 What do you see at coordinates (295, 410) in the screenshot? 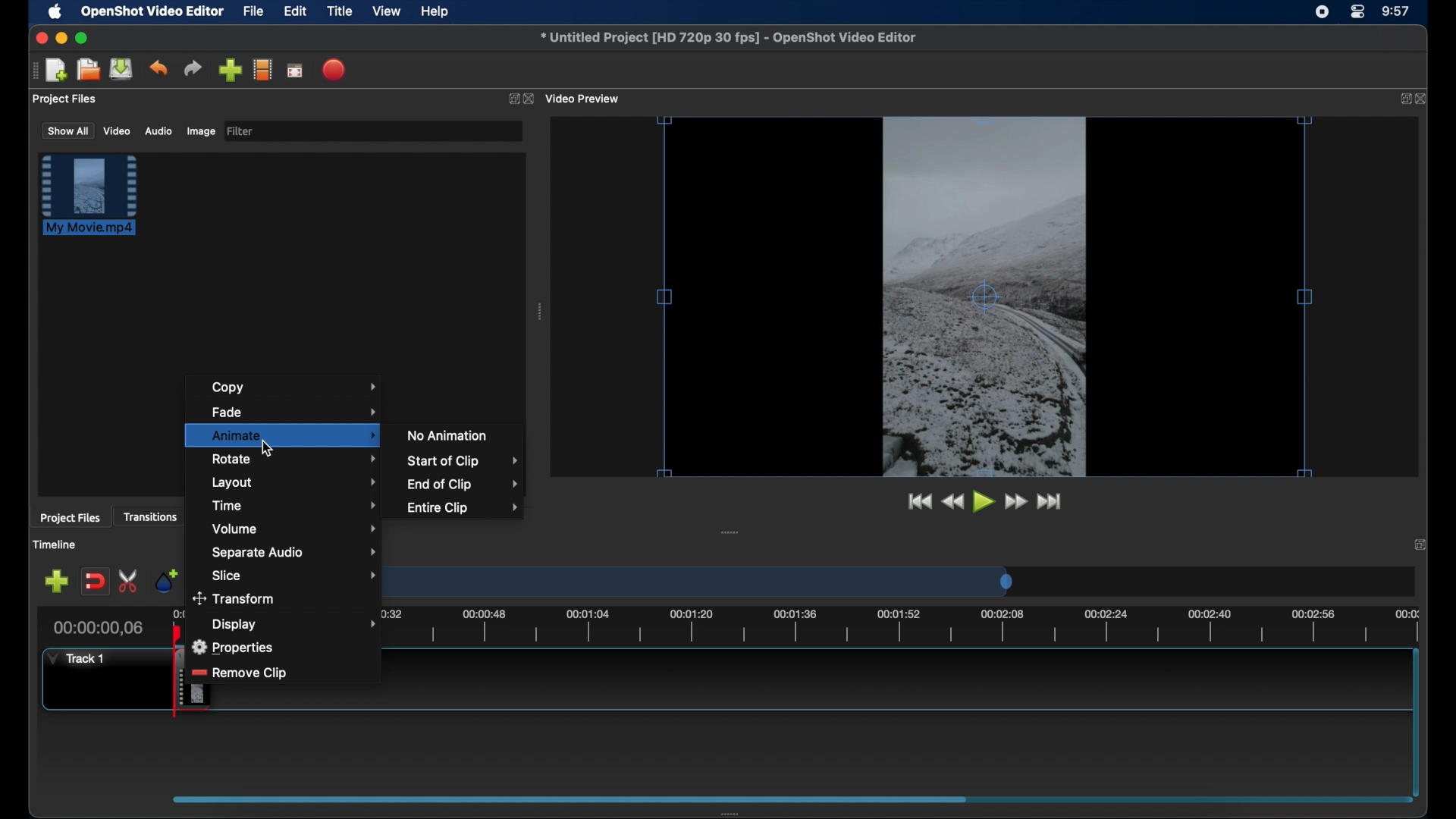
I see `fade menu` at bounding box center [295, 410].